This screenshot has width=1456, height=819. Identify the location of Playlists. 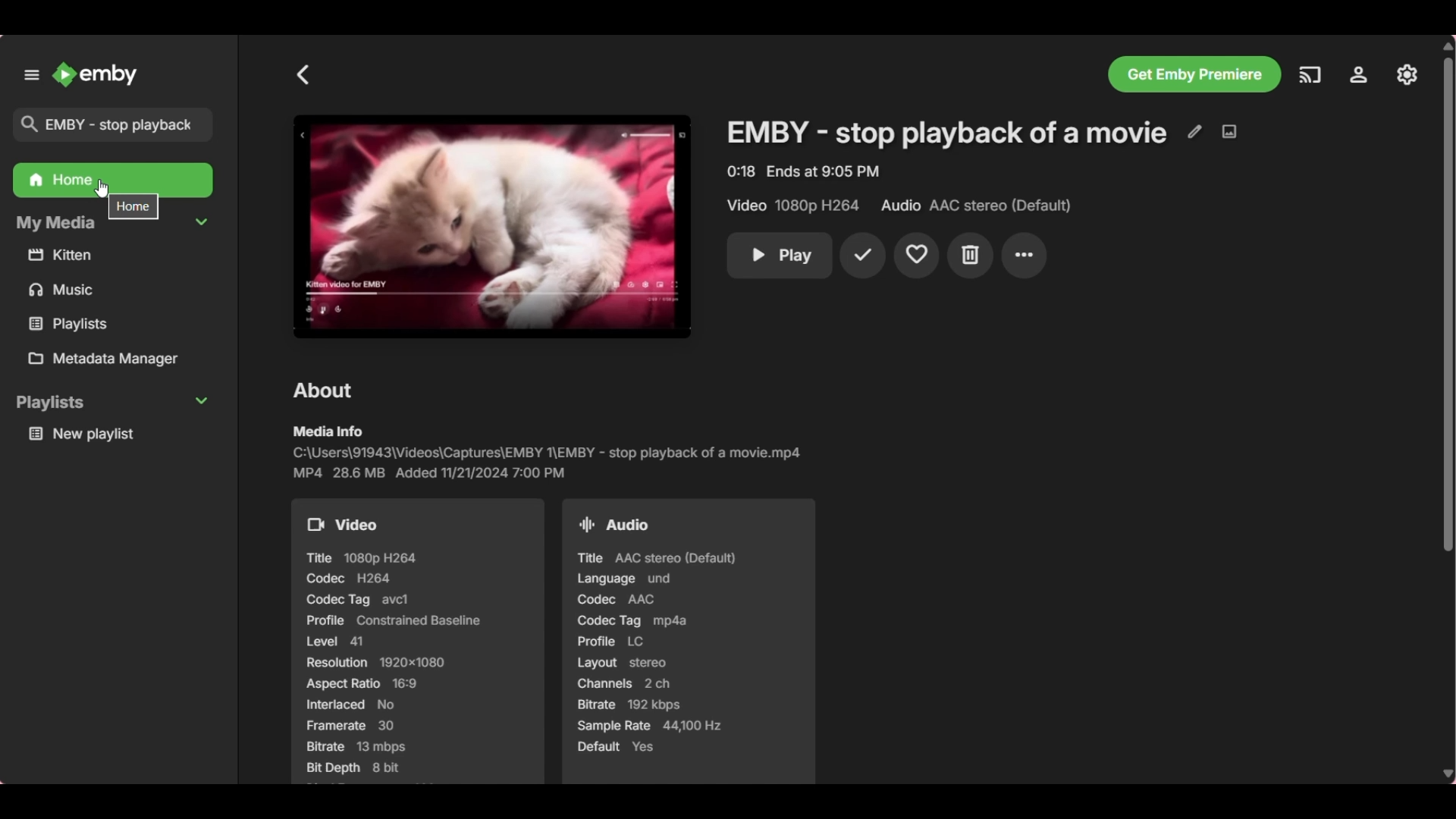
(115, 403).